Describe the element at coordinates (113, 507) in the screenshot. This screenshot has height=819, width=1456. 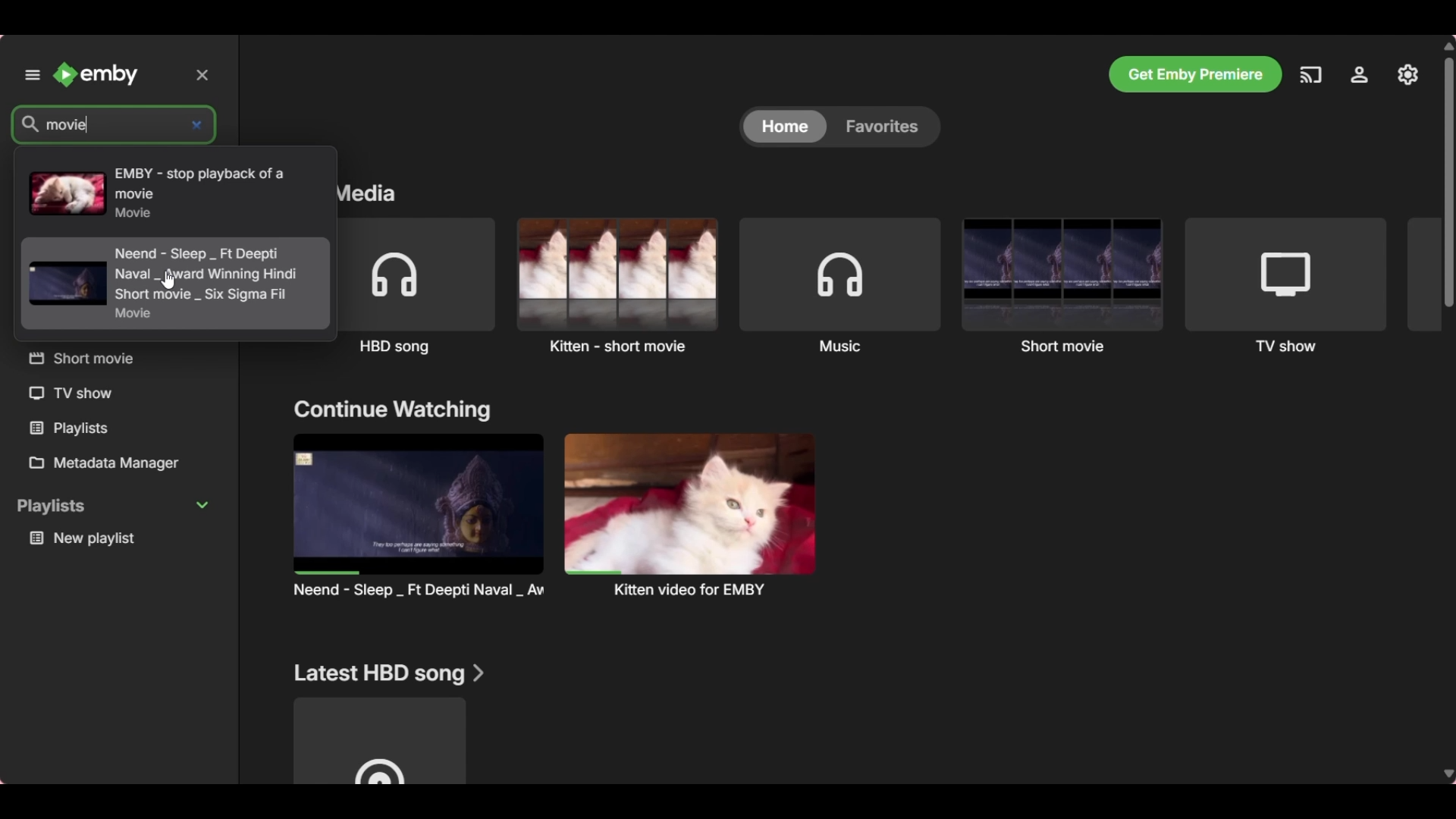
I see `Collapse playlists` at that location.